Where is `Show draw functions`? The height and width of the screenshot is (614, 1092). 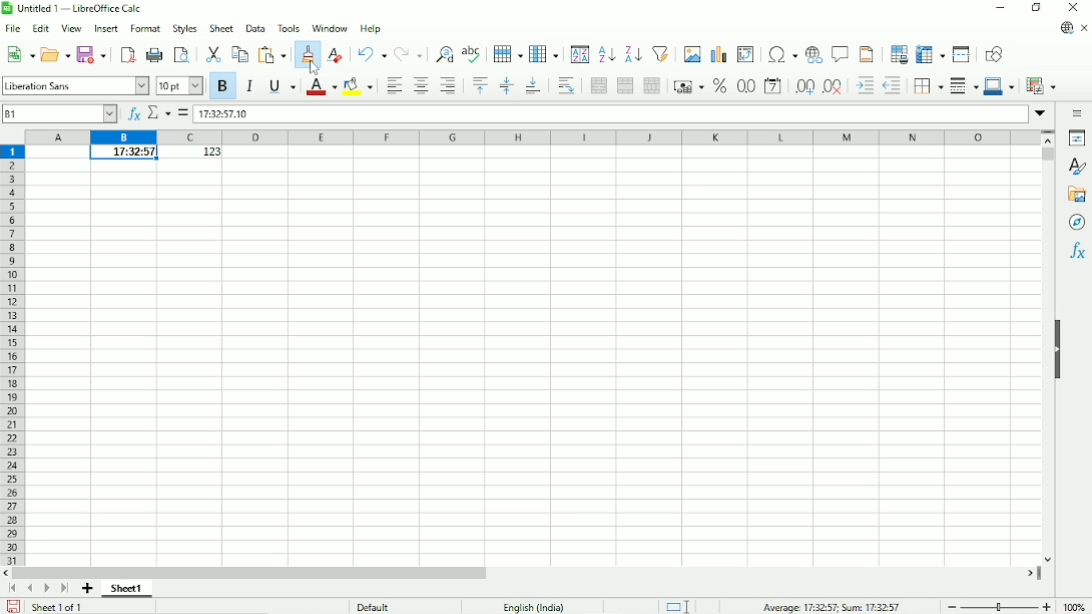 Show draw functions is located at coordinates (994, 54).